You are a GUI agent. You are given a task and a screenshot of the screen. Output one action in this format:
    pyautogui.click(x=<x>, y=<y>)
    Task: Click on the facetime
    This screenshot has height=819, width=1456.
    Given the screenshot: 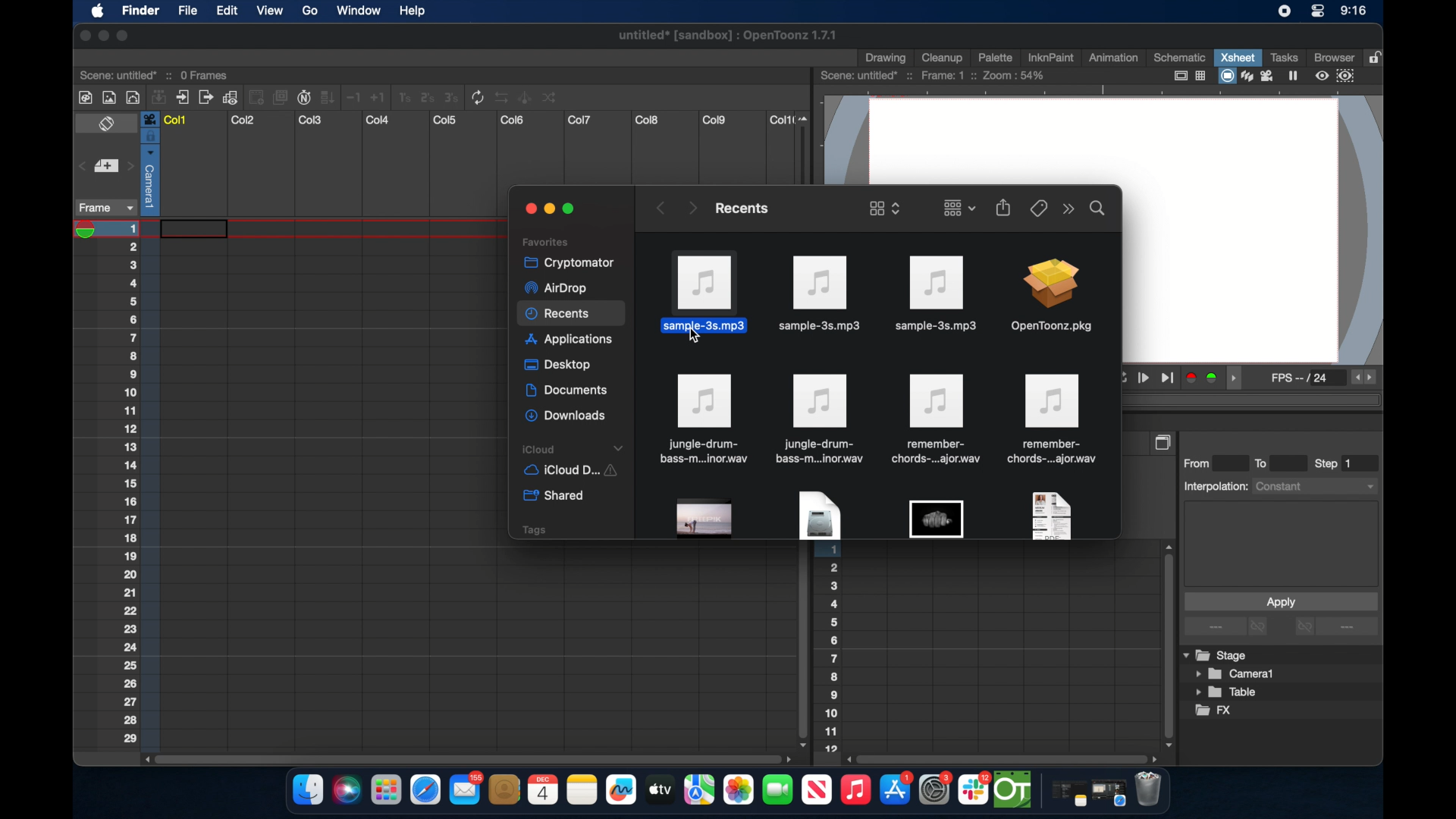 What is the action you would take?
    pyautogui.click(x=778, y=788)
    